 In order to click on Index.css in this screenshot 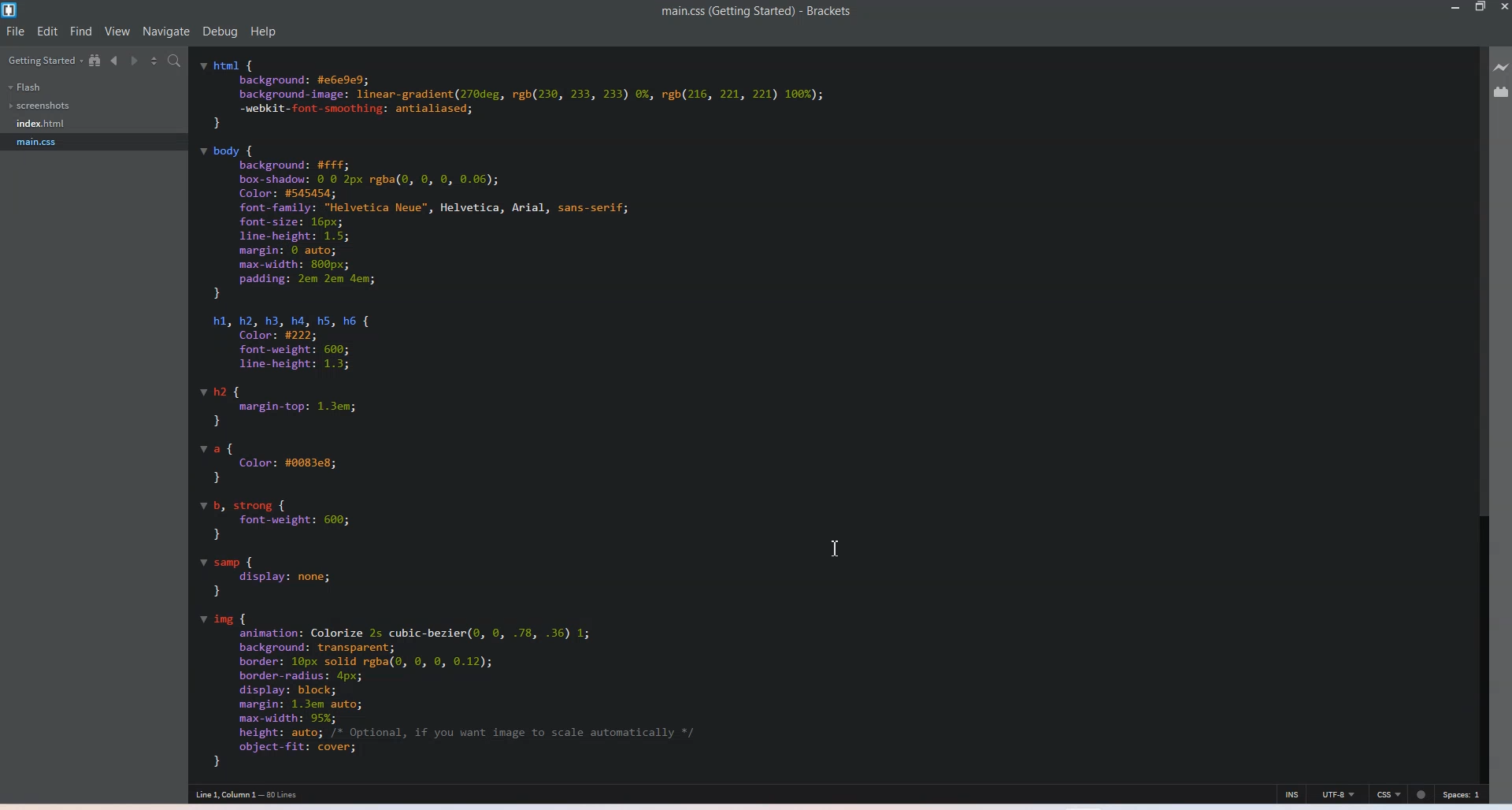, I will do `click(44, 122)`.